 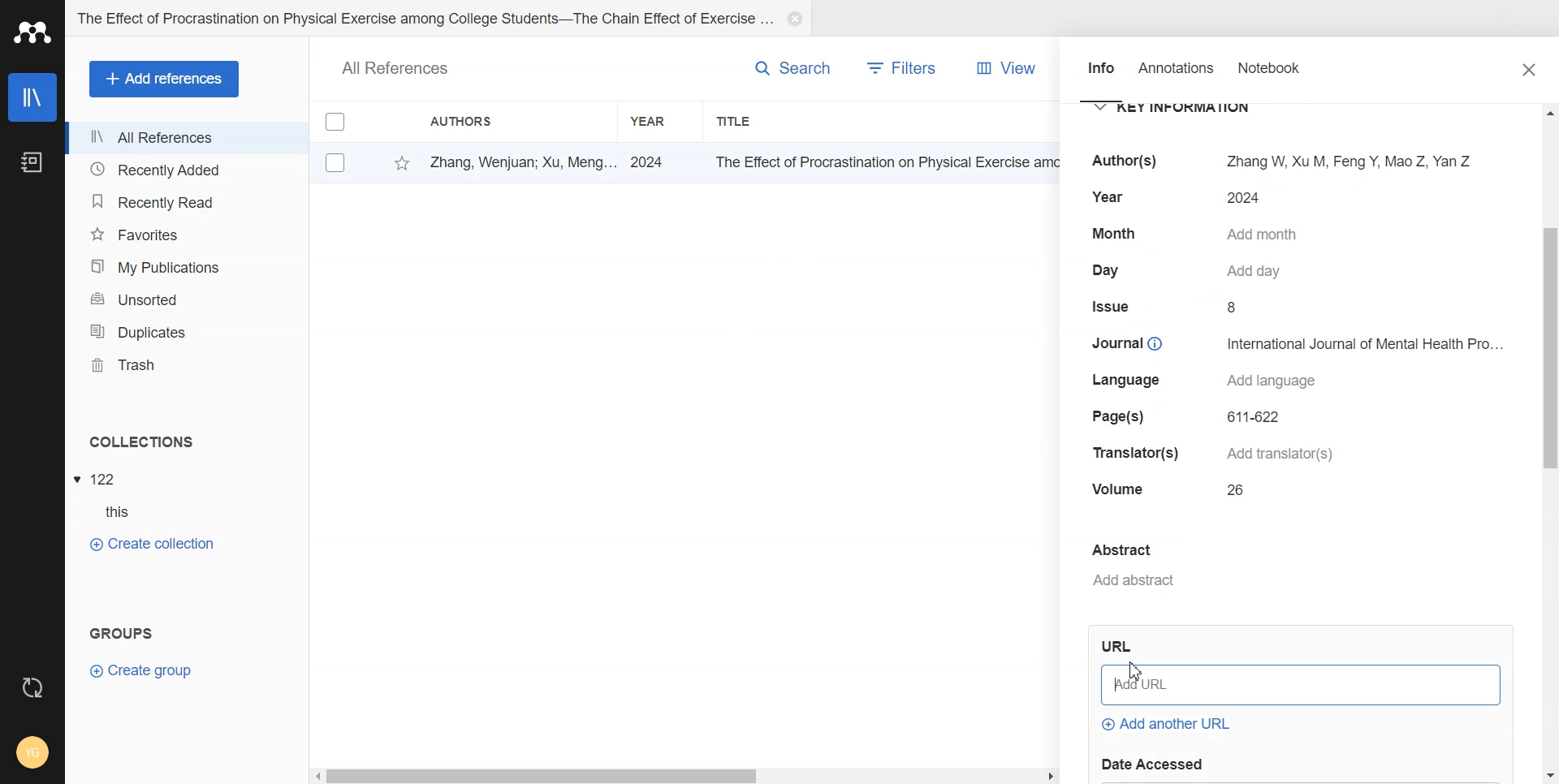 I want to click on Title, so click(x=785, y=121).